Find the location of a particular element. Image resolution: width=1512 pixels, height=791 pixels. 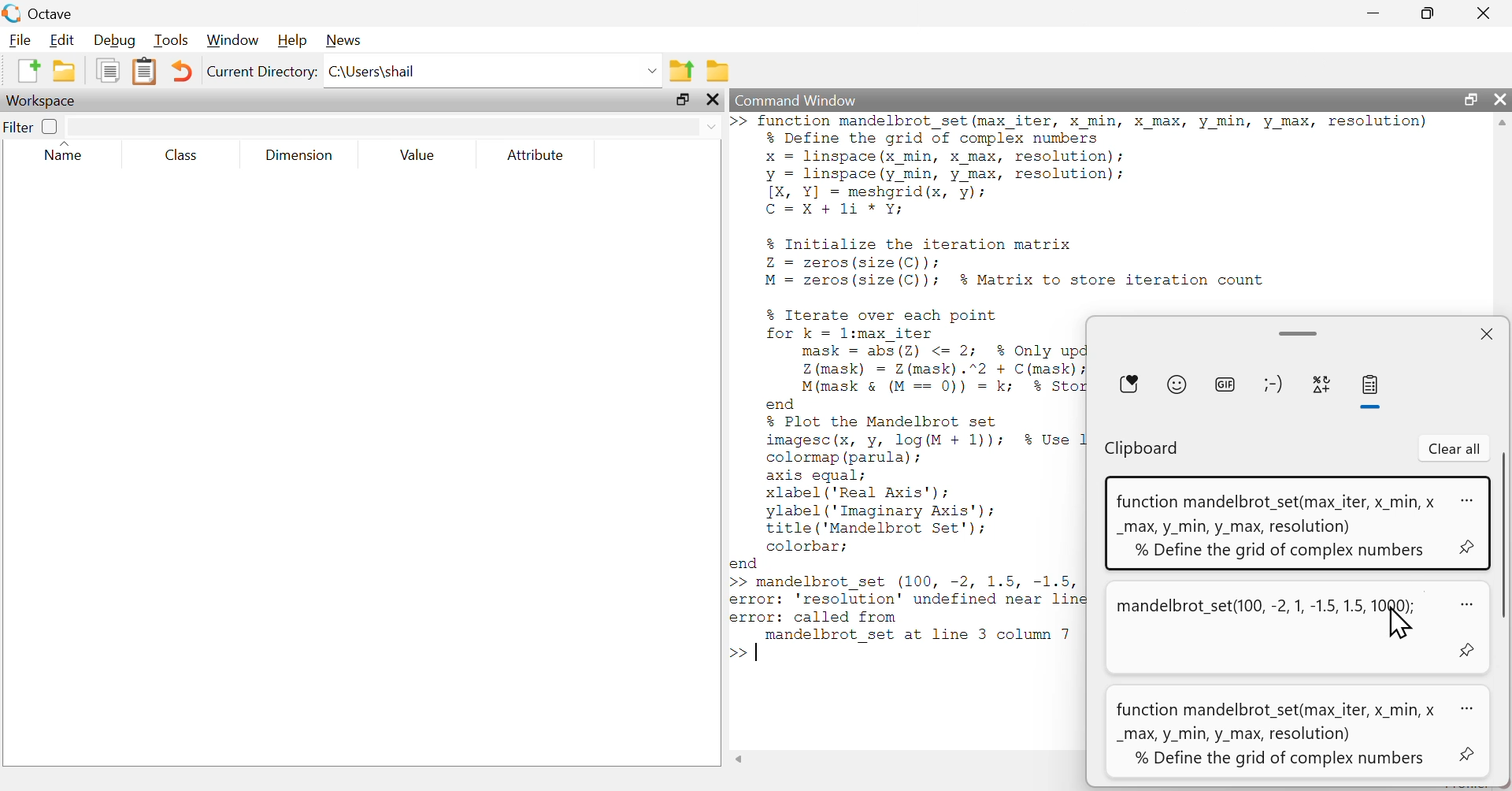

paste is located at coordinates (146, 70).